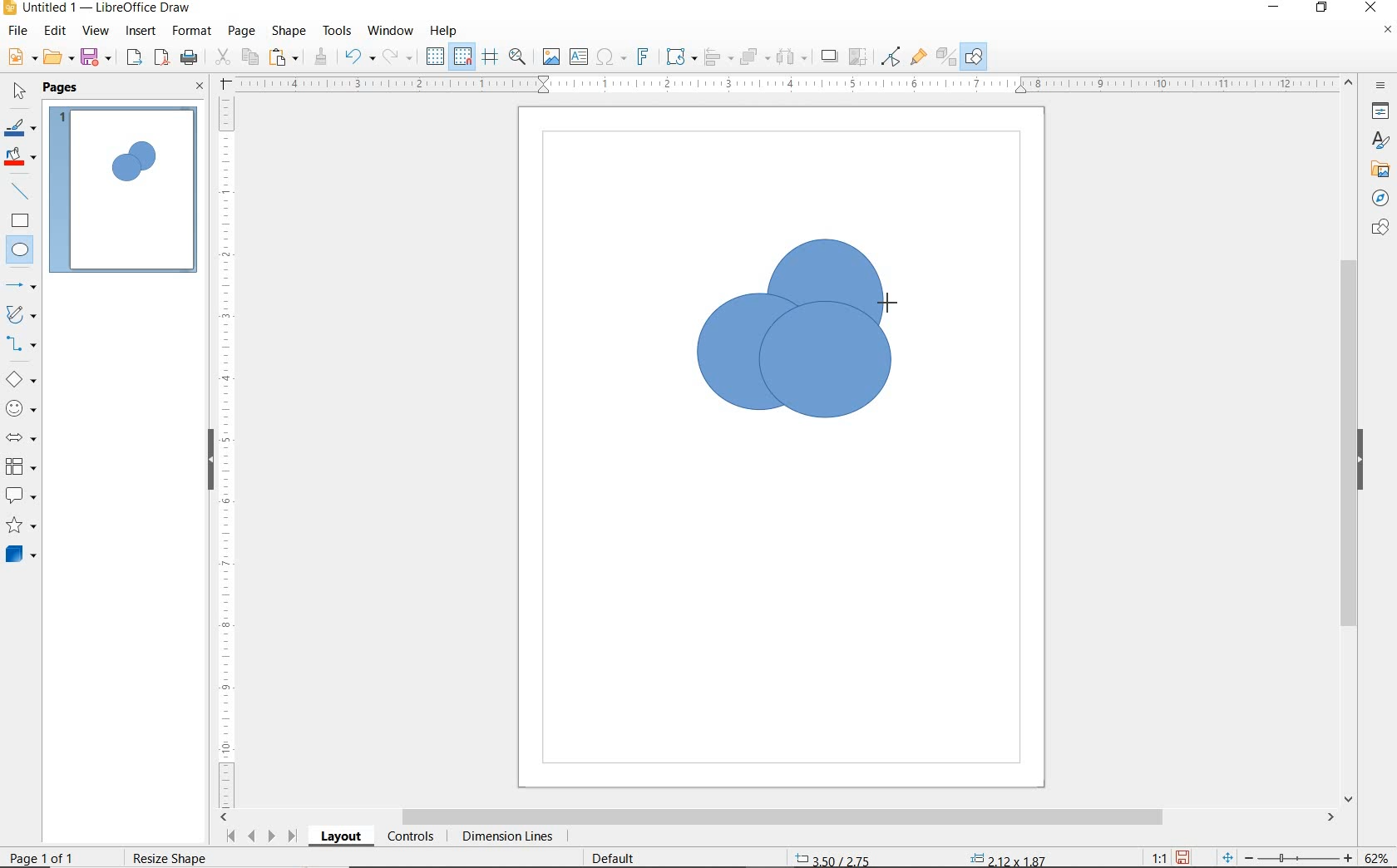 This screenshot has width=1397, height=868. Describe the element at coordinates (754, 57) in the screenshot. I see `ARRANGE` at that location.